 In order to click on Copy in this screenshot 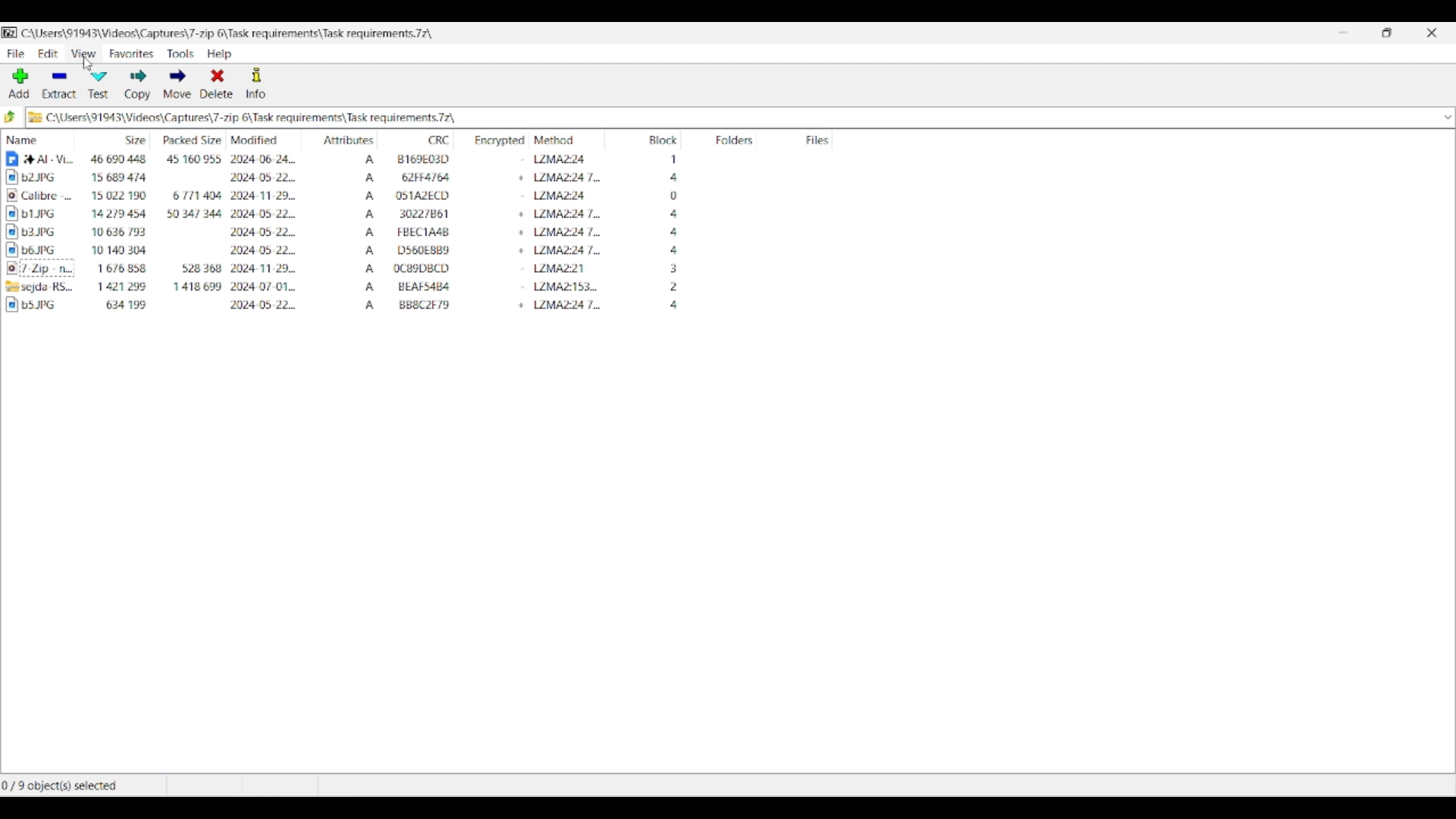, I will do `click(138, 85)`.